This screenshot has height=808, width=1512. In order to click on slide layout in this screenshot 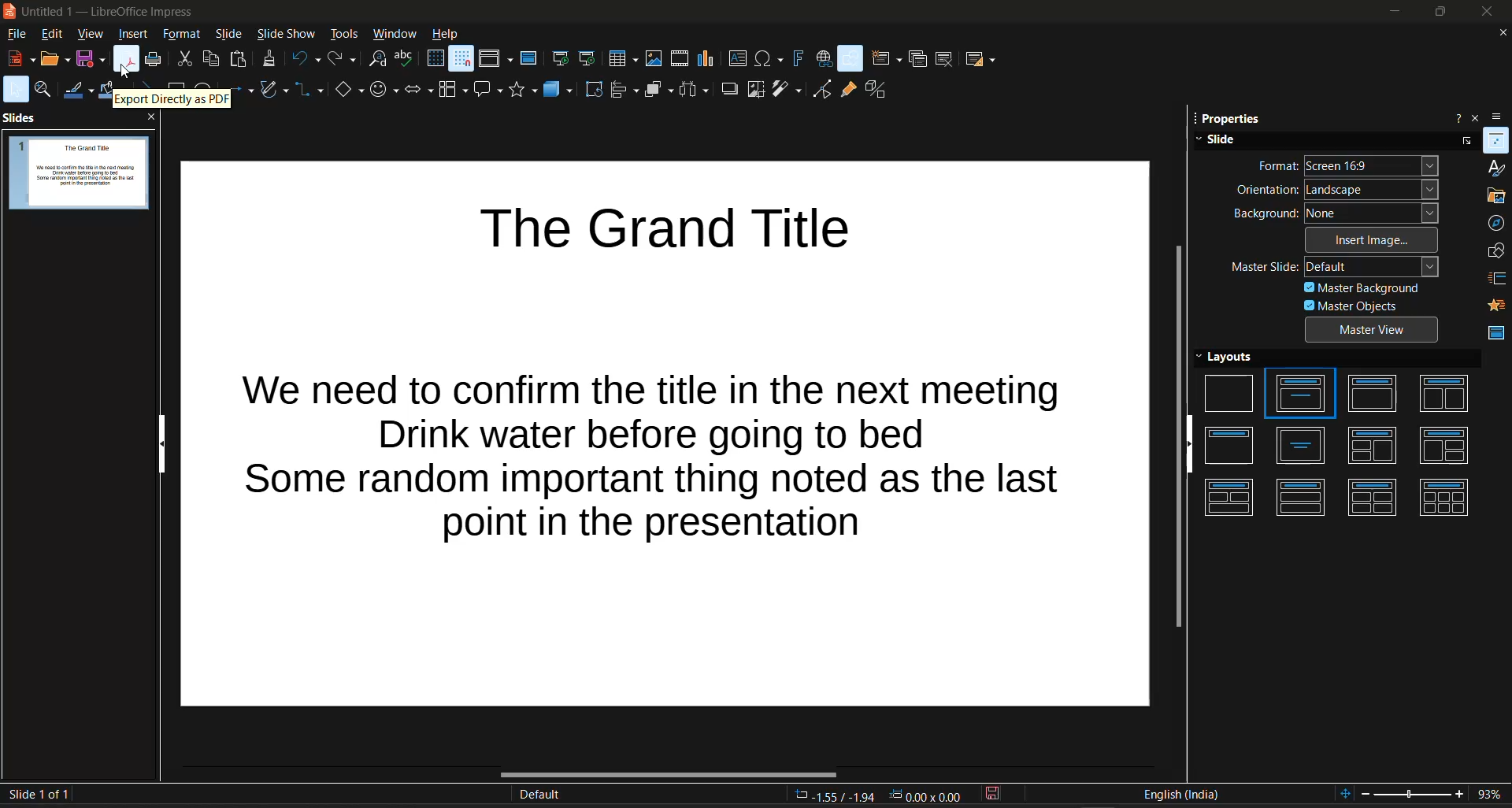, I will do `click(980, 59)`.